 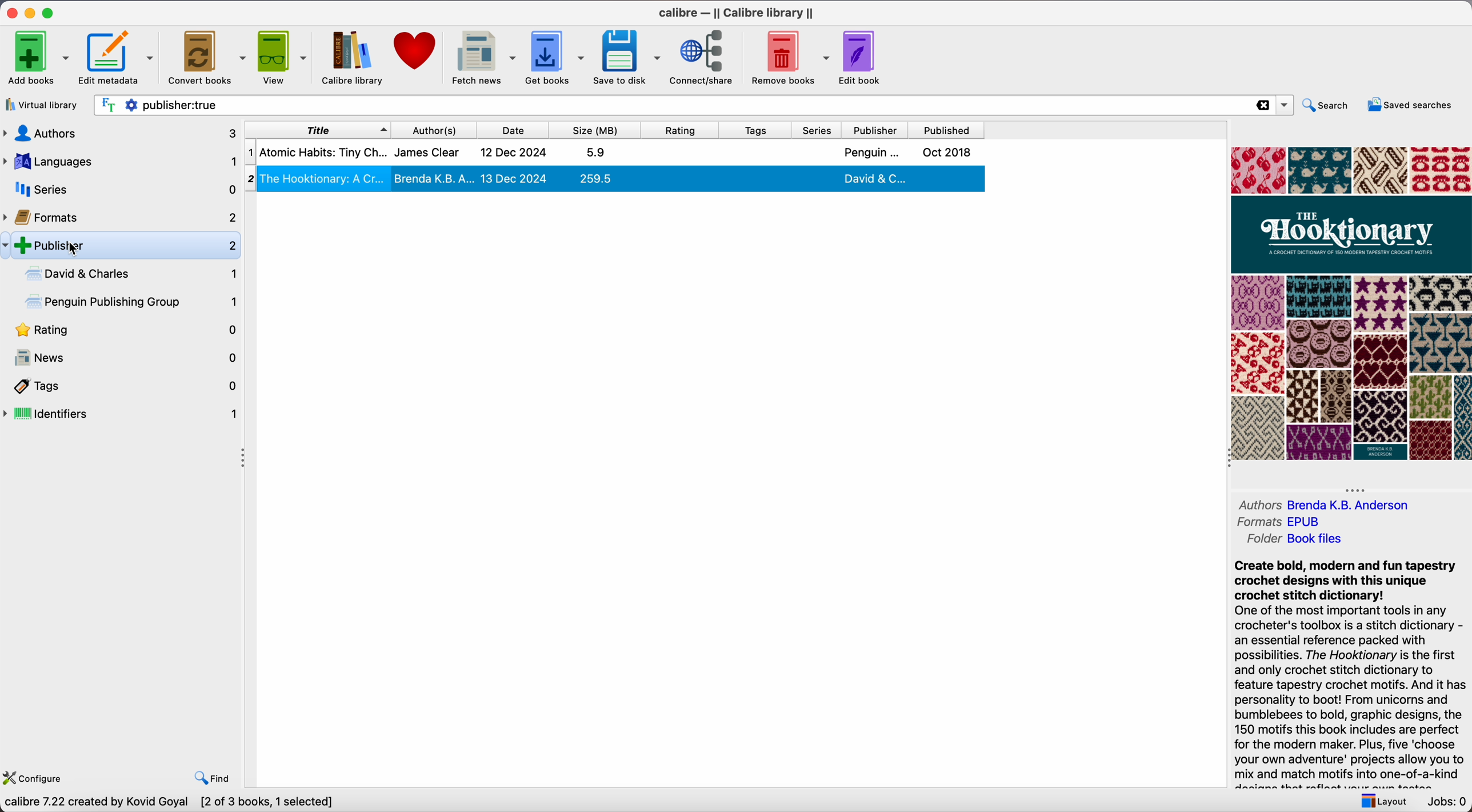 I want to click on tags, so click(x=758, y=130).